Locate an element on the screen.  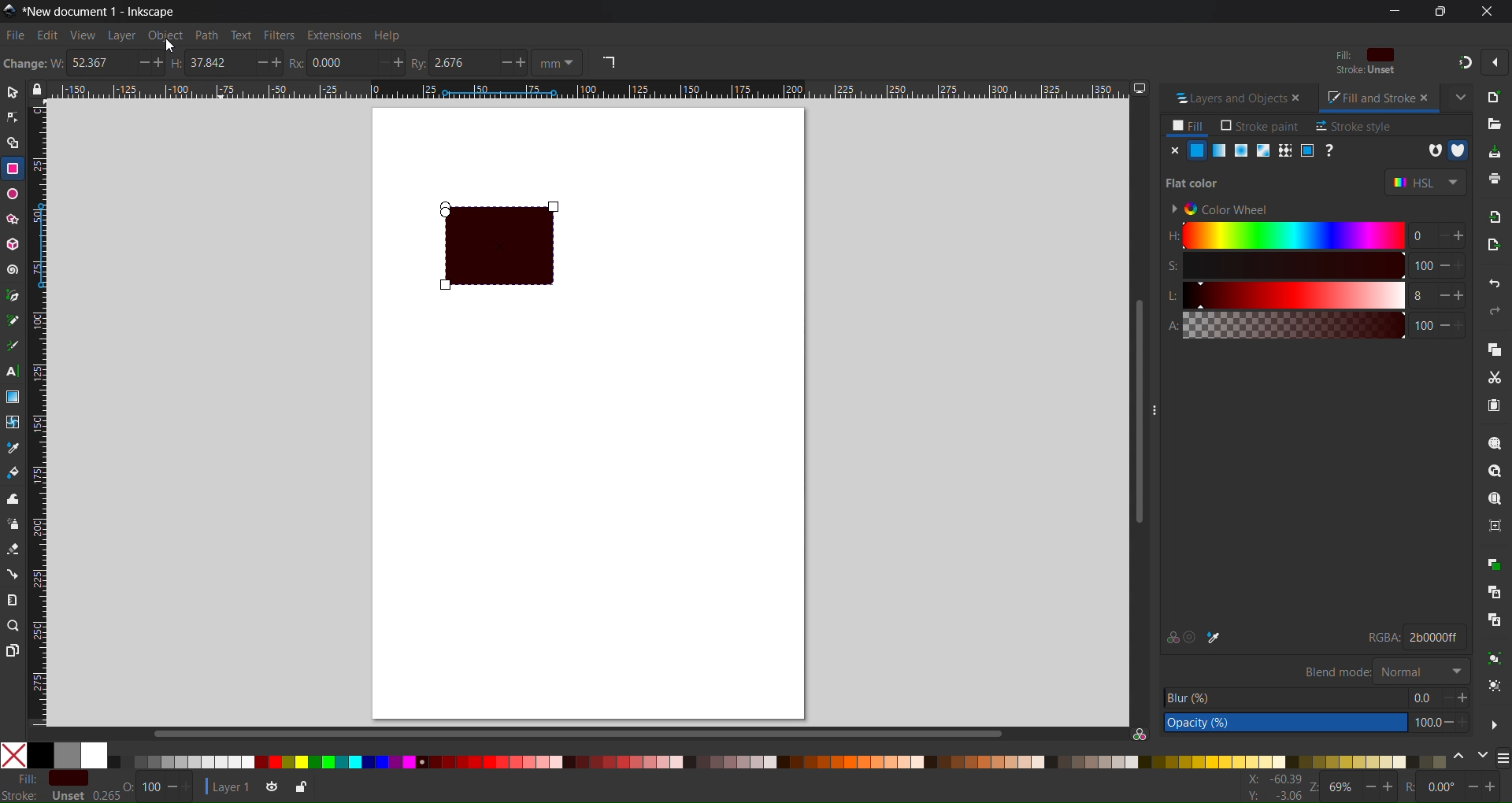
Minimize Rotation is located at coordinates (1474, 786).